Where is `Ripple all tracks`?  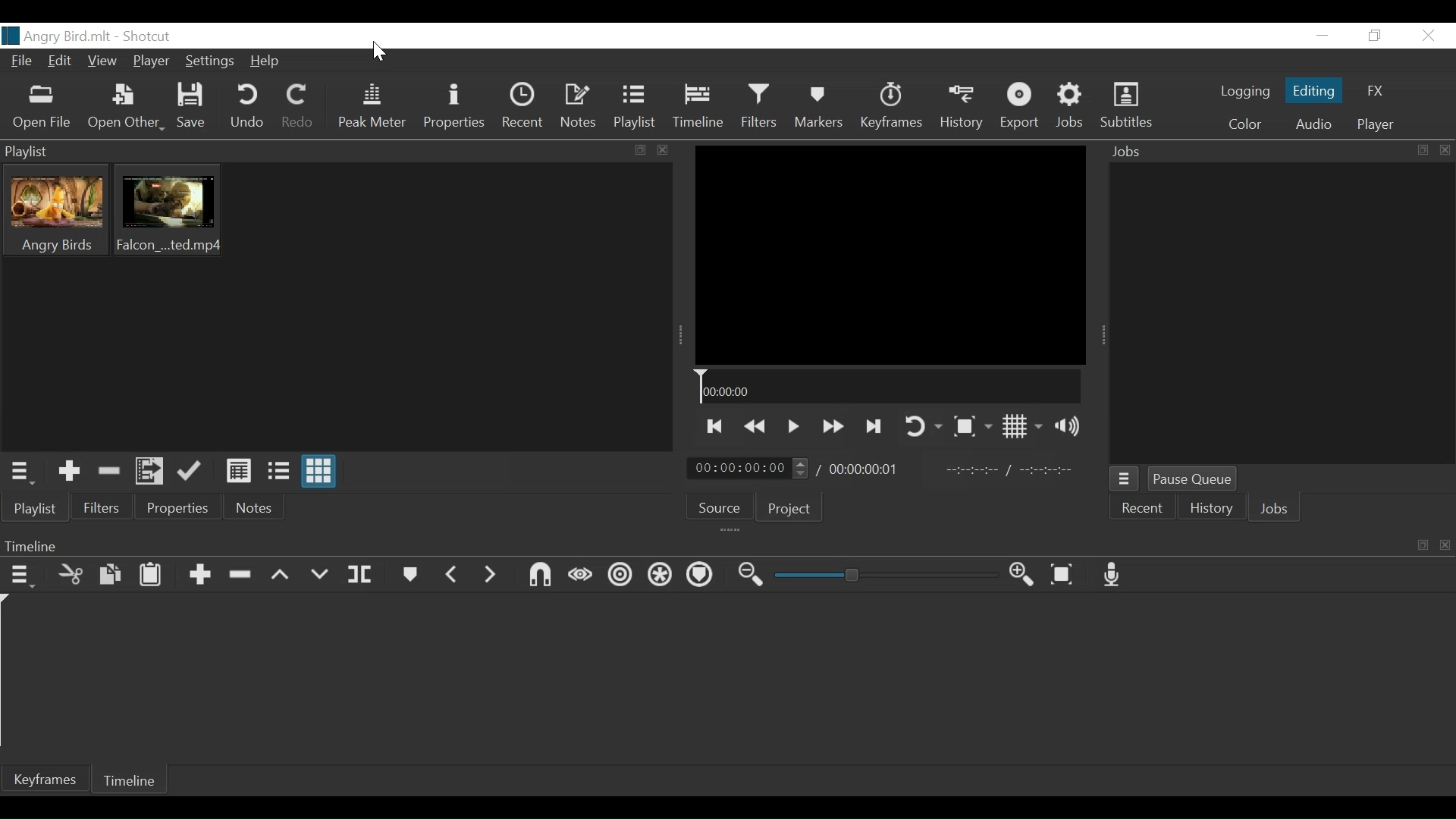
Ripple all tracks is located at coordinates (661, 575).